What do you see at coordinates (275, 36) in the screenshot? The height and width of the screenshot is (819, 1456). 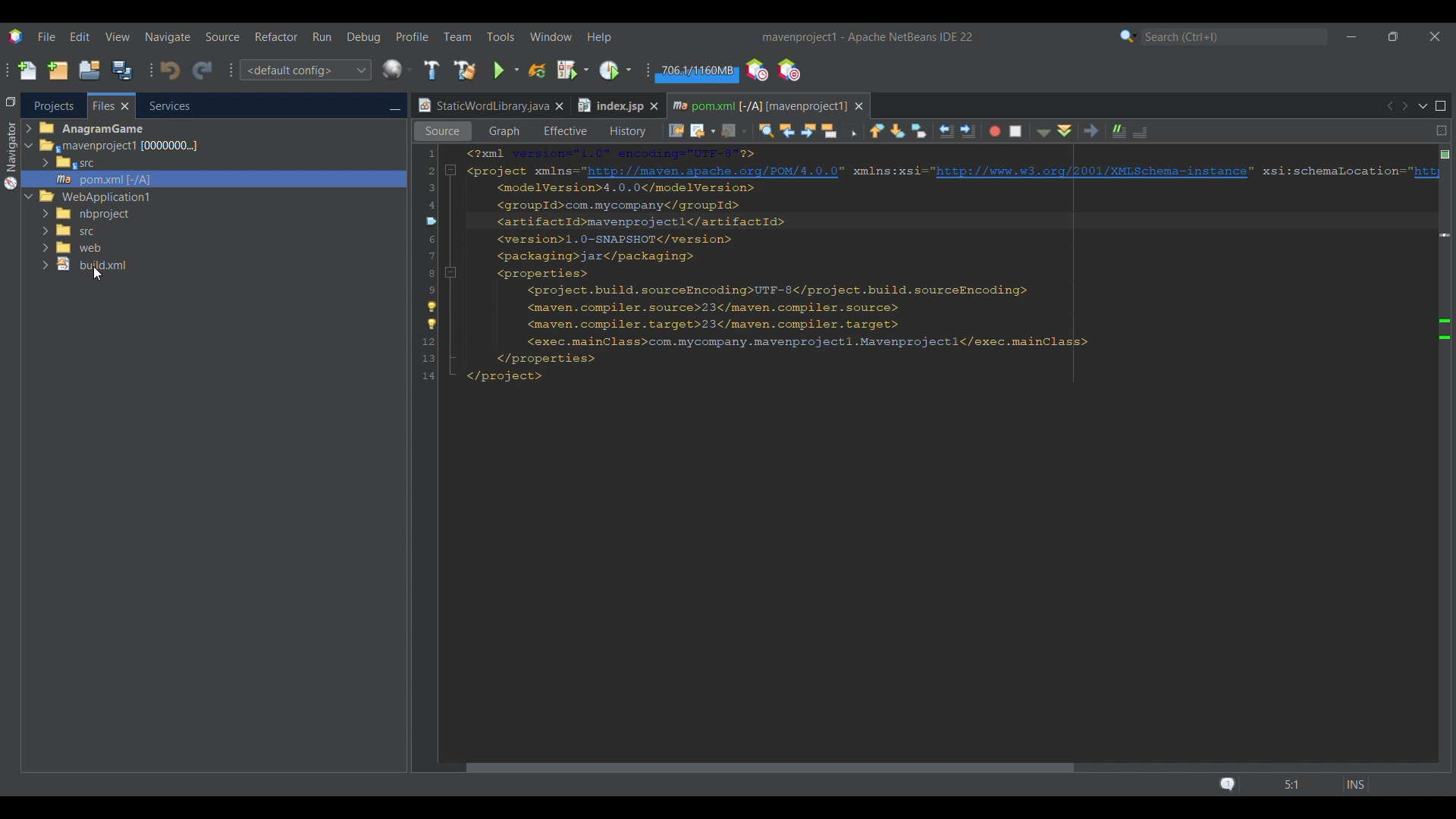 I see `Refactor menu` at bounding box center [275, 36].